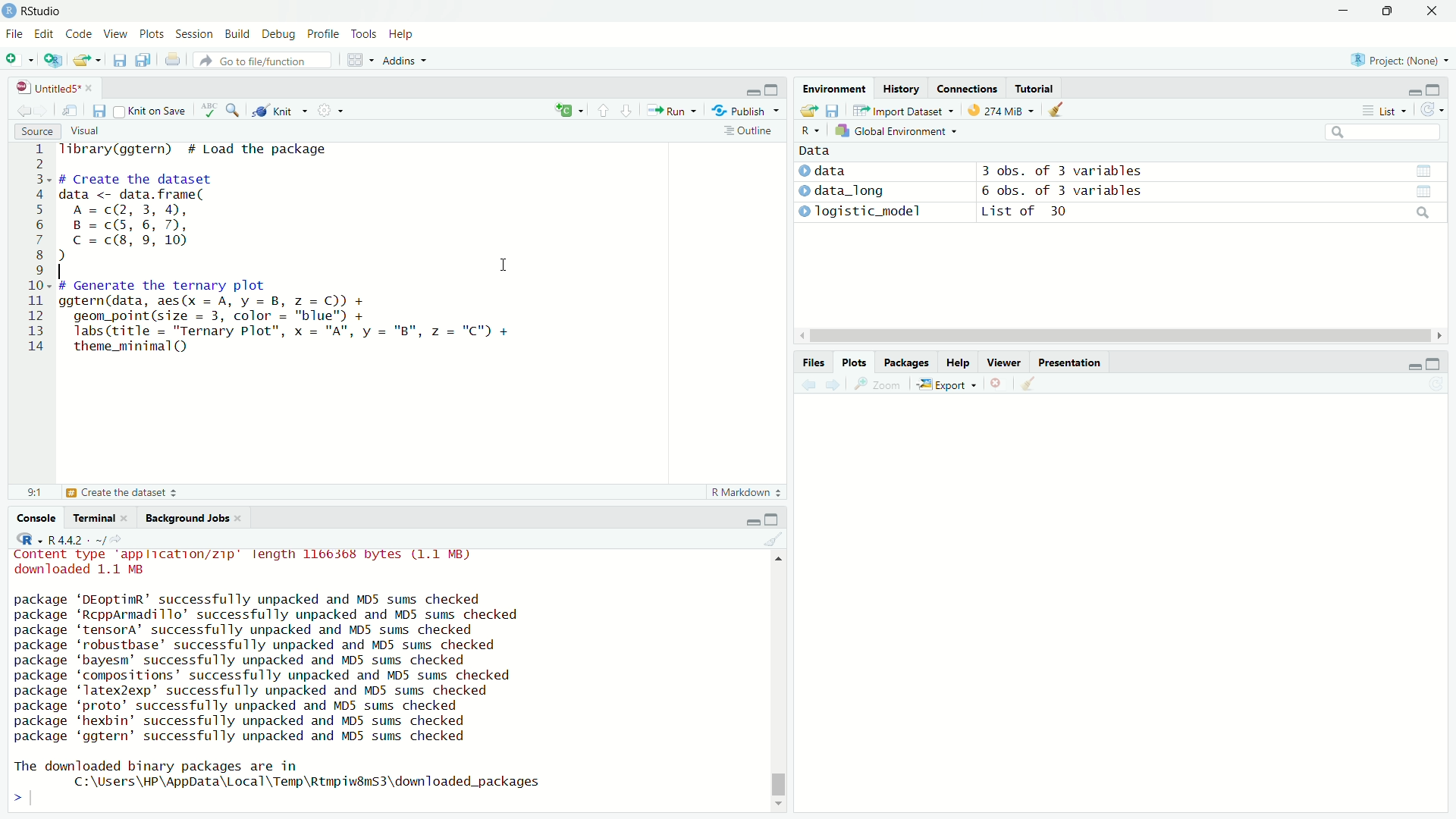  What do you see at coordinates (297, 255) in the screenshot?
I see `library(ggtern) # Load the package
# Create the dataset
data <- data.frame(
A=c, 3,4,
B =c(5, 6, 7),
C =c(8, 9, 10)
)
I
# Generate the ternary plot
ggtern(data, aes(x = A, y = B, z = 0) +
geom_point(size = 3, color = "blue") +
labs(title = "Ternary Plot", x = "A", y = "8", z = "C") +
theme_minimal()` at bounding box center [297, 255].